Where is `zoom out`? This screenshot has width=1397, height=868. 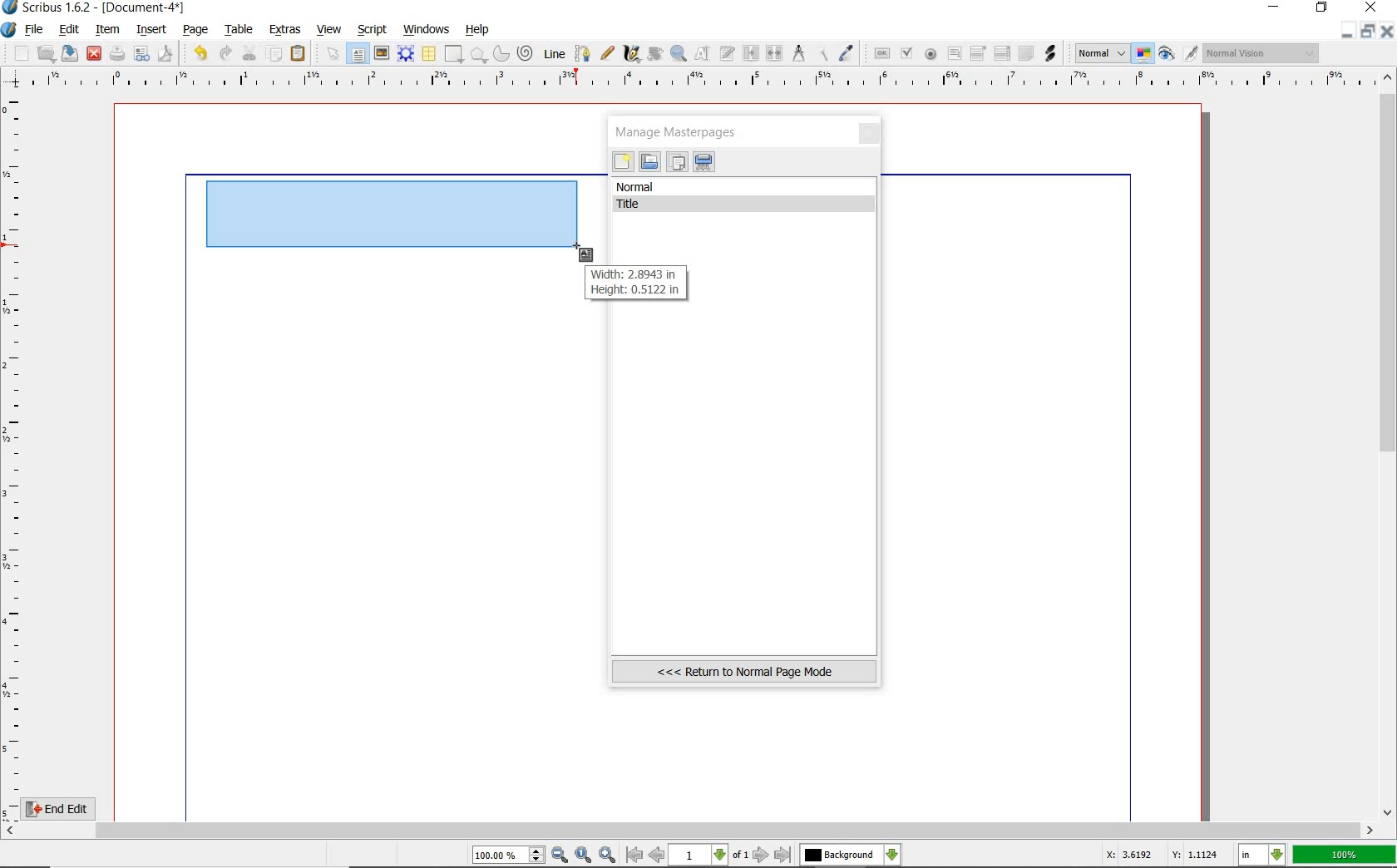 zoom out is located at coordinates (560, 856).